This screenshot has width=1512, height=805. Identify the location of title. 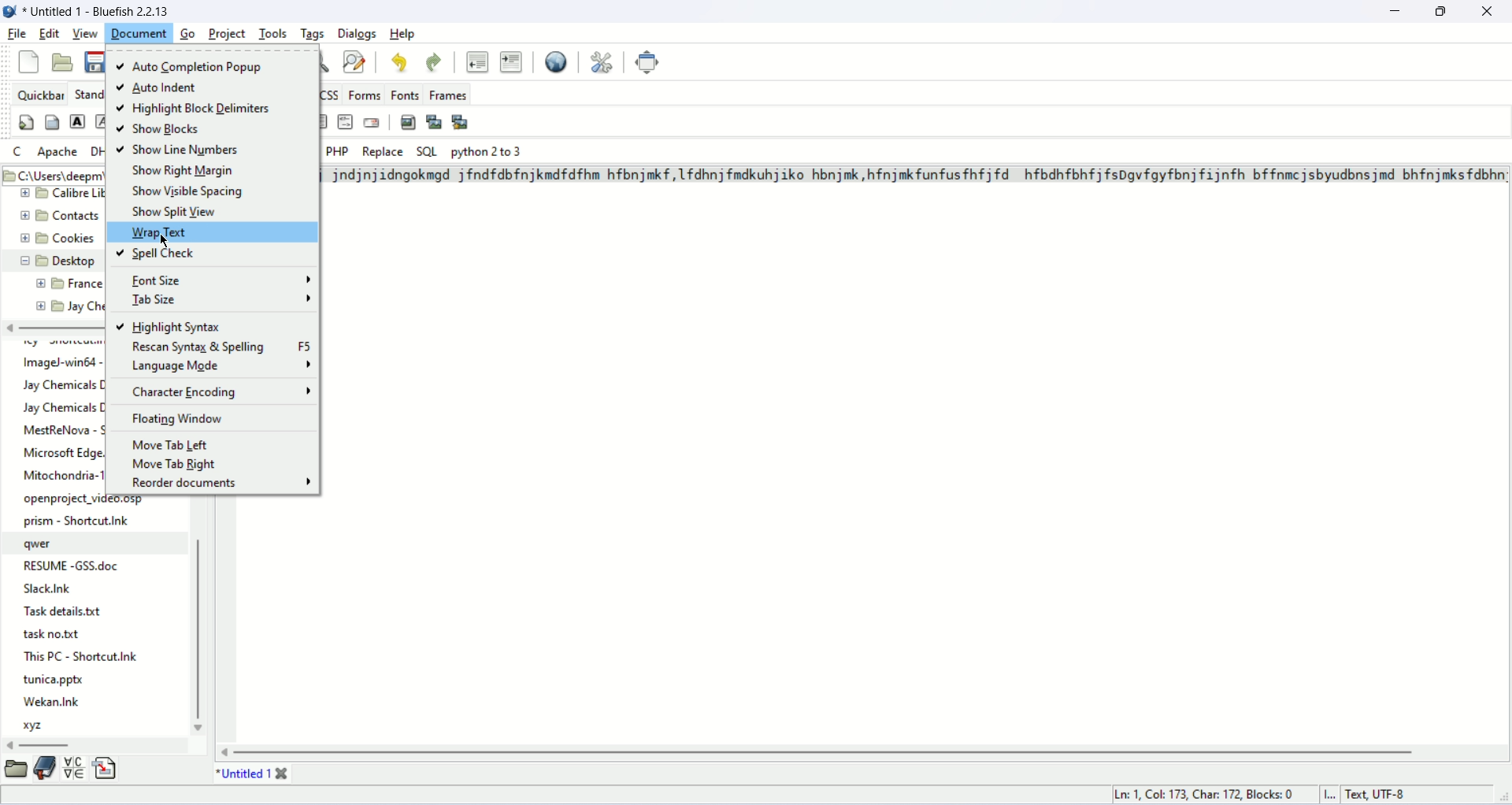
(239, 773).